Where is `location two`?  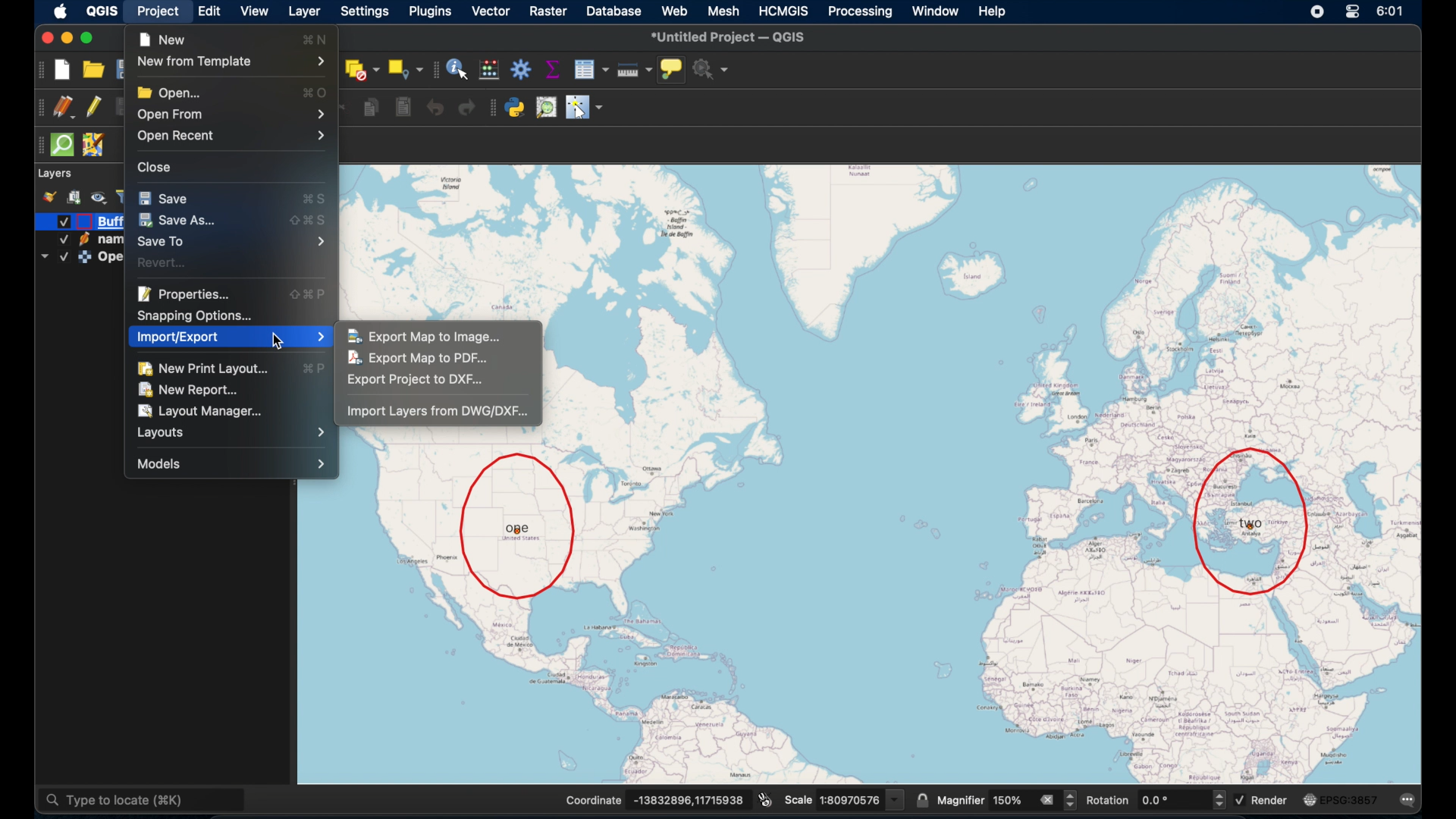
location two is located at coordinates (1251, 521).